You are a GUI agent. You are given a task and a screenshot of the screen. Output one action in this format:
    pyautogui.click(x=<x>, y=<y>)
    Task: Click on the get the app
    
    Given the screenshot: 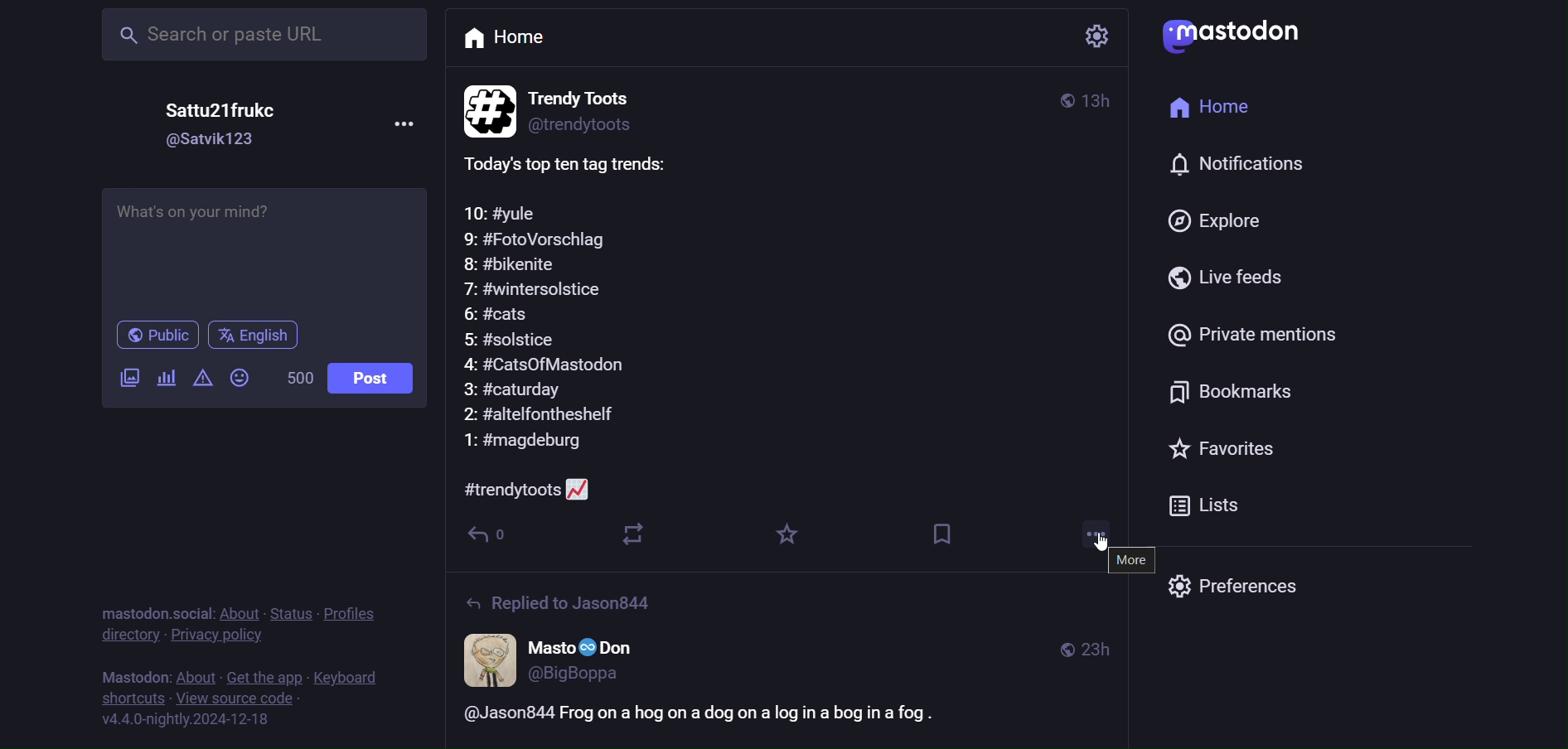 What is the action you would take?
    pyautogui.click(x=264, y=674)
    